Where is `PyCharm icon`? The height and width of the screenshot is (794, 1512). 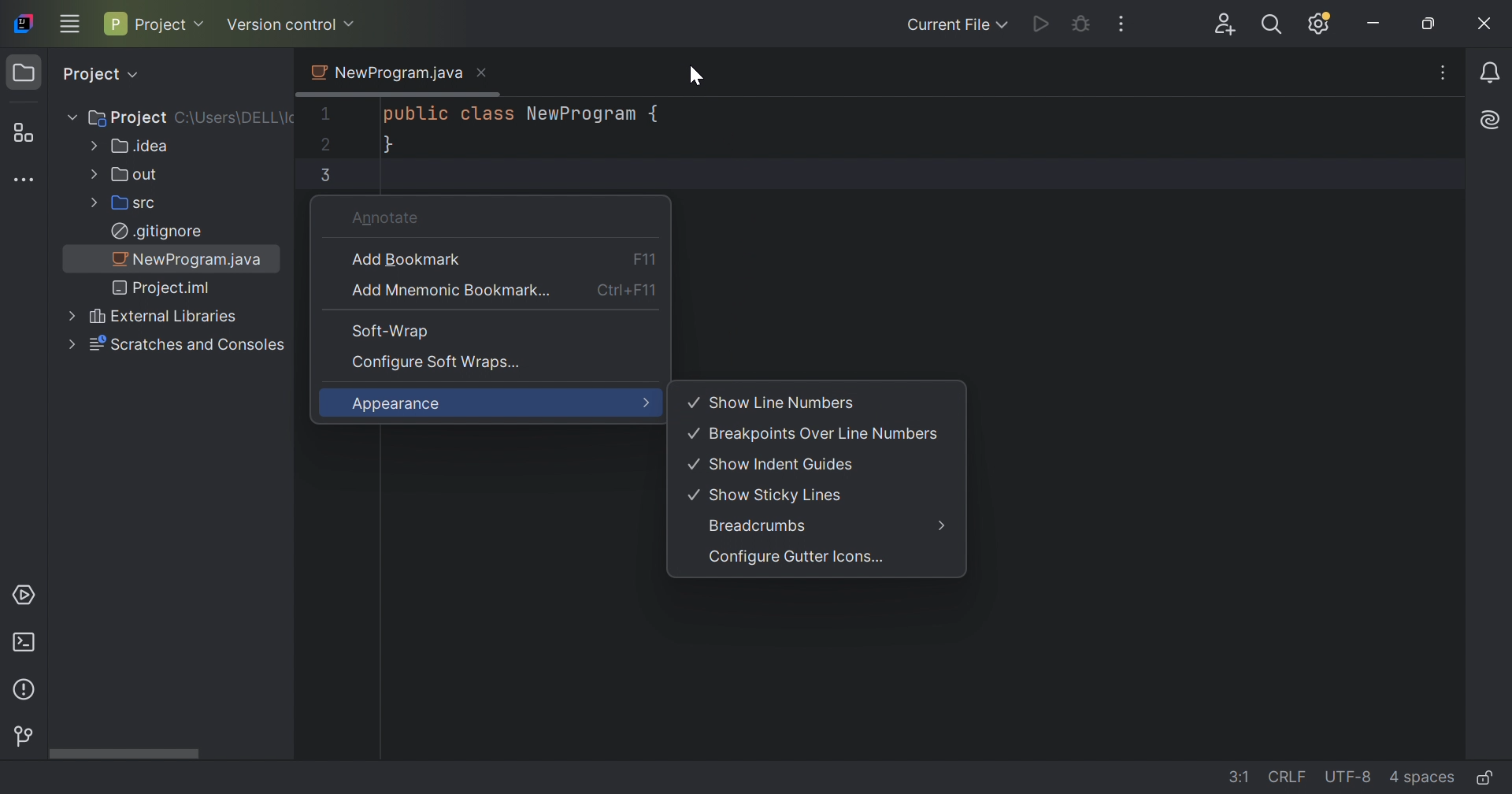 PyCharm icon is located at coordinates (23, 24).